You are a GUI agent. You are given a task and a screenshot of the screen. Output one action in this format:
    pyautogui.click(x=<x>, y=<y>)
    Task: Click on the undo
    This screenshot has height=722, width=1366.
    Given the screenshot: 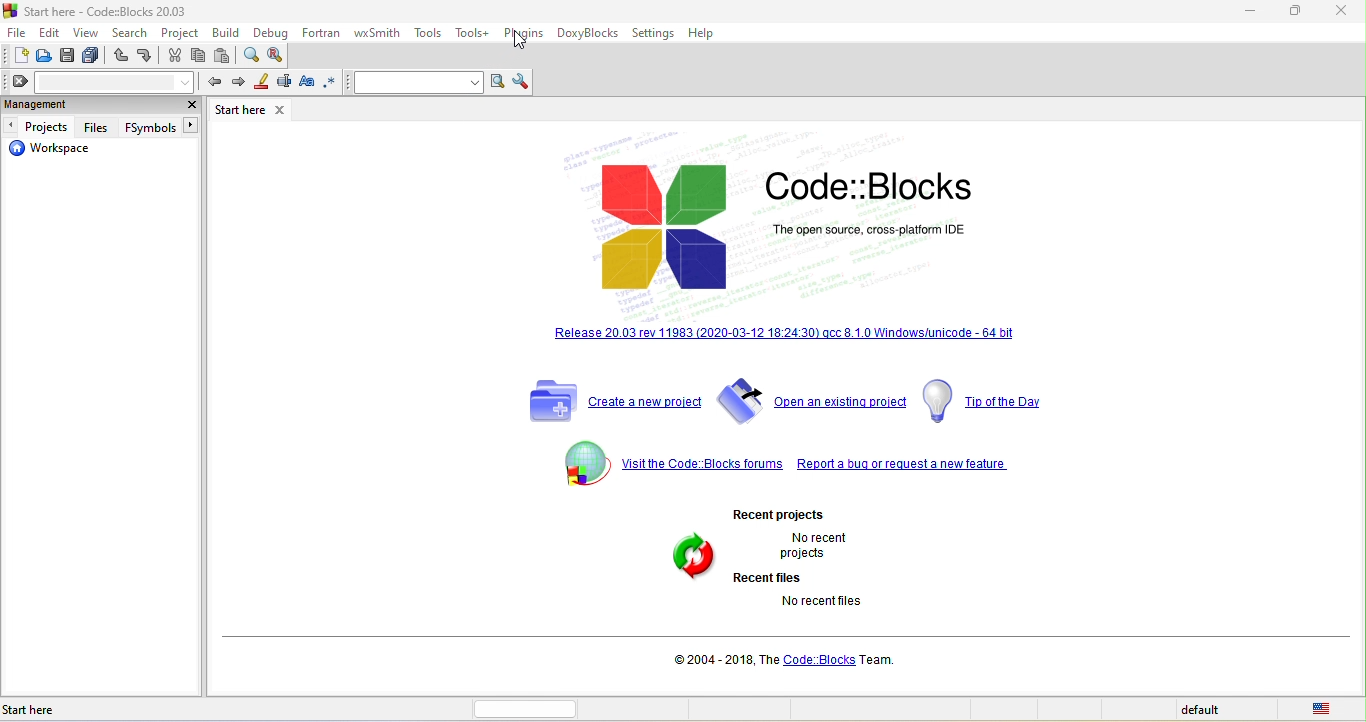 What is the action you would take?
    pyautogui.click(x=122, y=56)
    